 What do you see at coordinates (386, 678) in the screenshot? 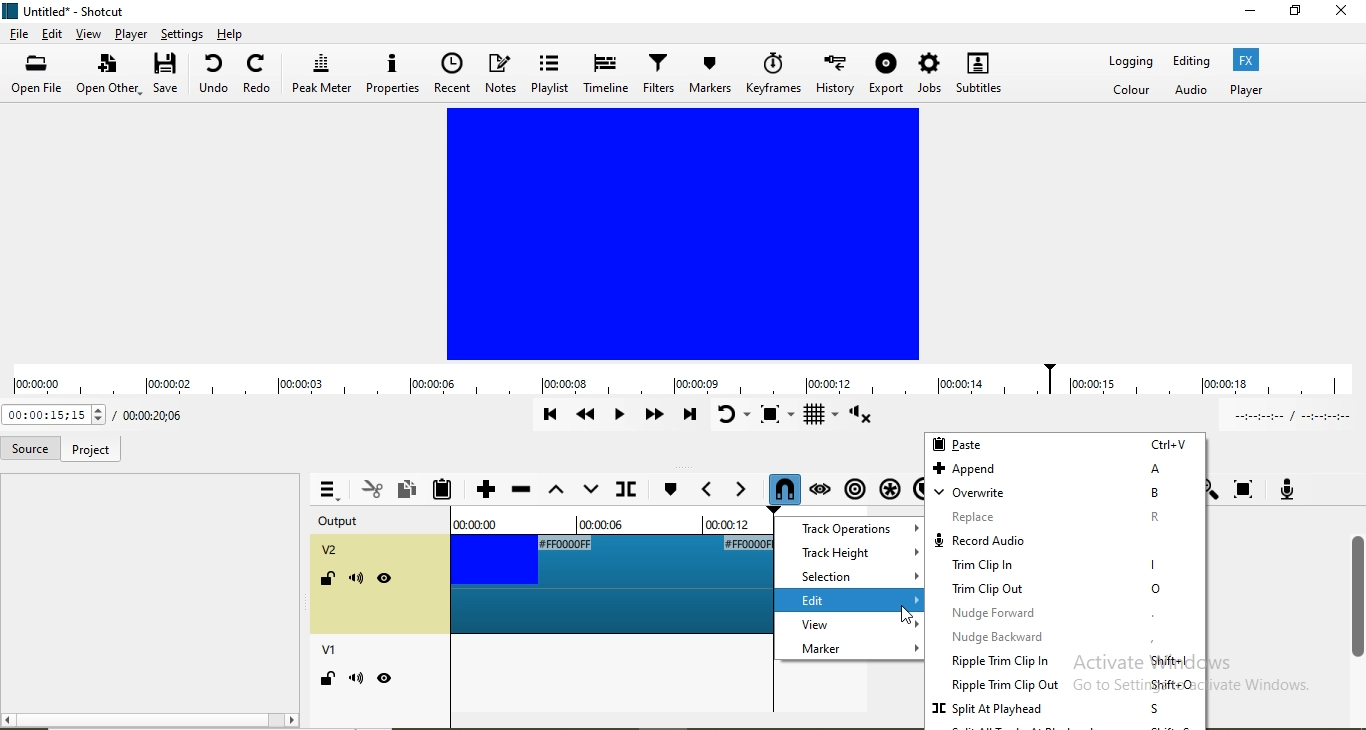
I see `hide` at bounding box center [386, 678].